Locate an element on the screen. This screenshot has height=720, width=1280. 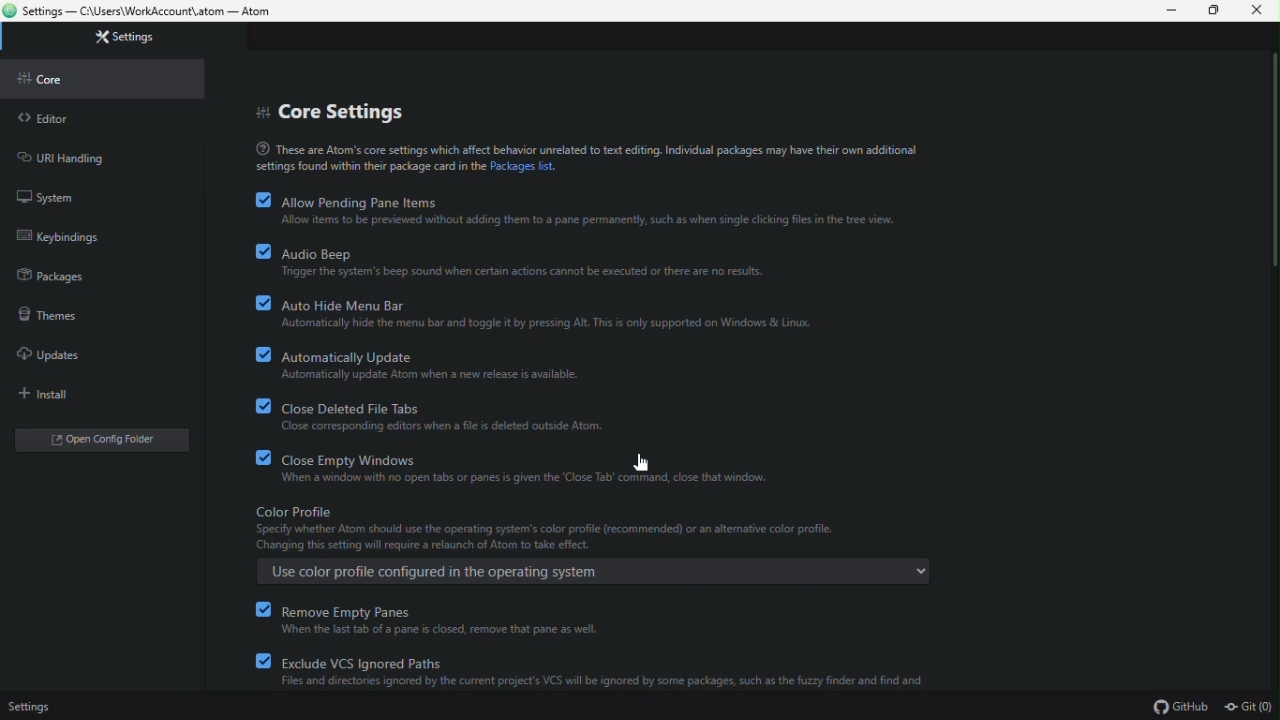
Close is located at coordinates (1258, 11).